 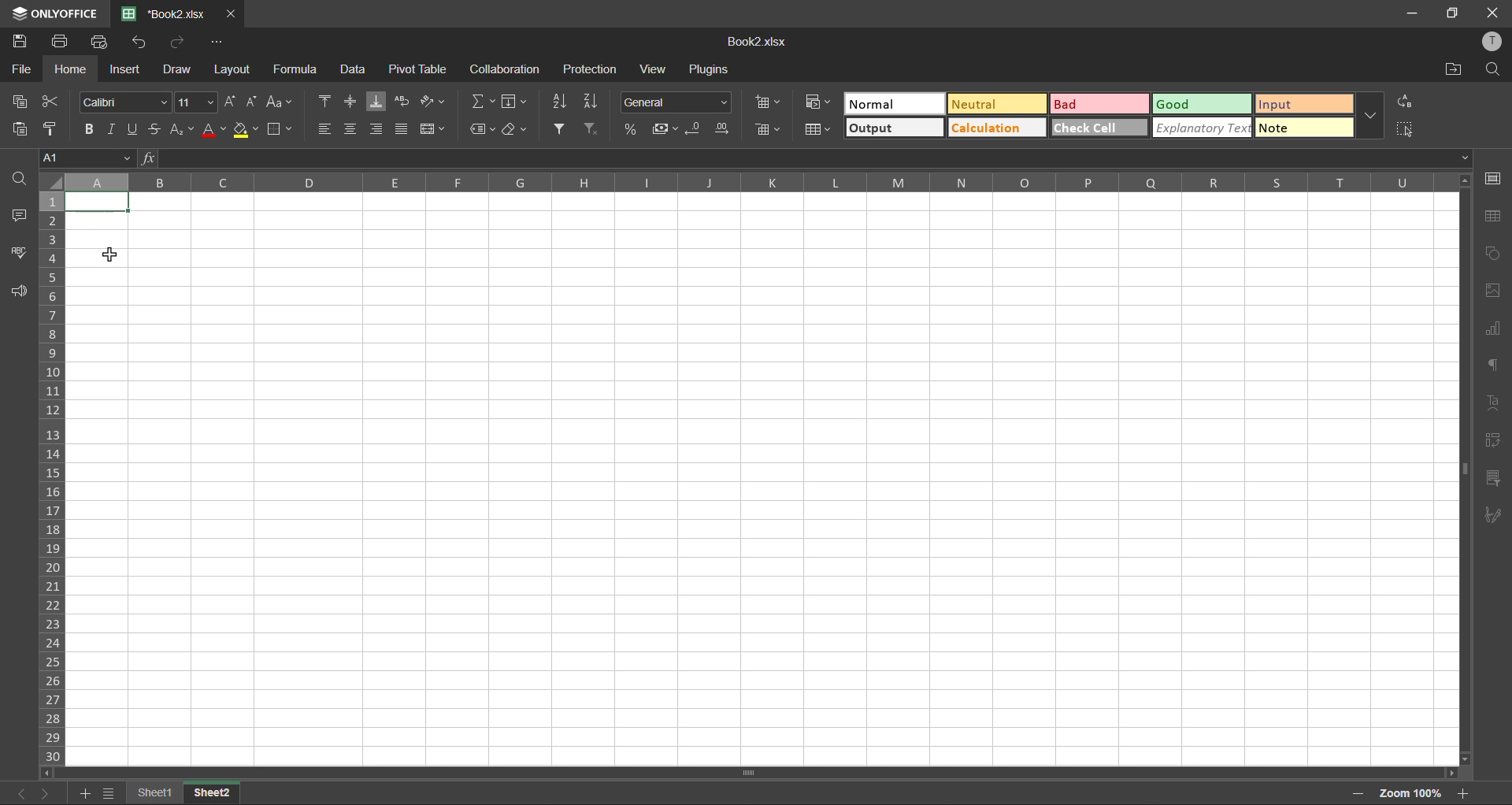 I want to click on font size, so click(x=198, y=102).